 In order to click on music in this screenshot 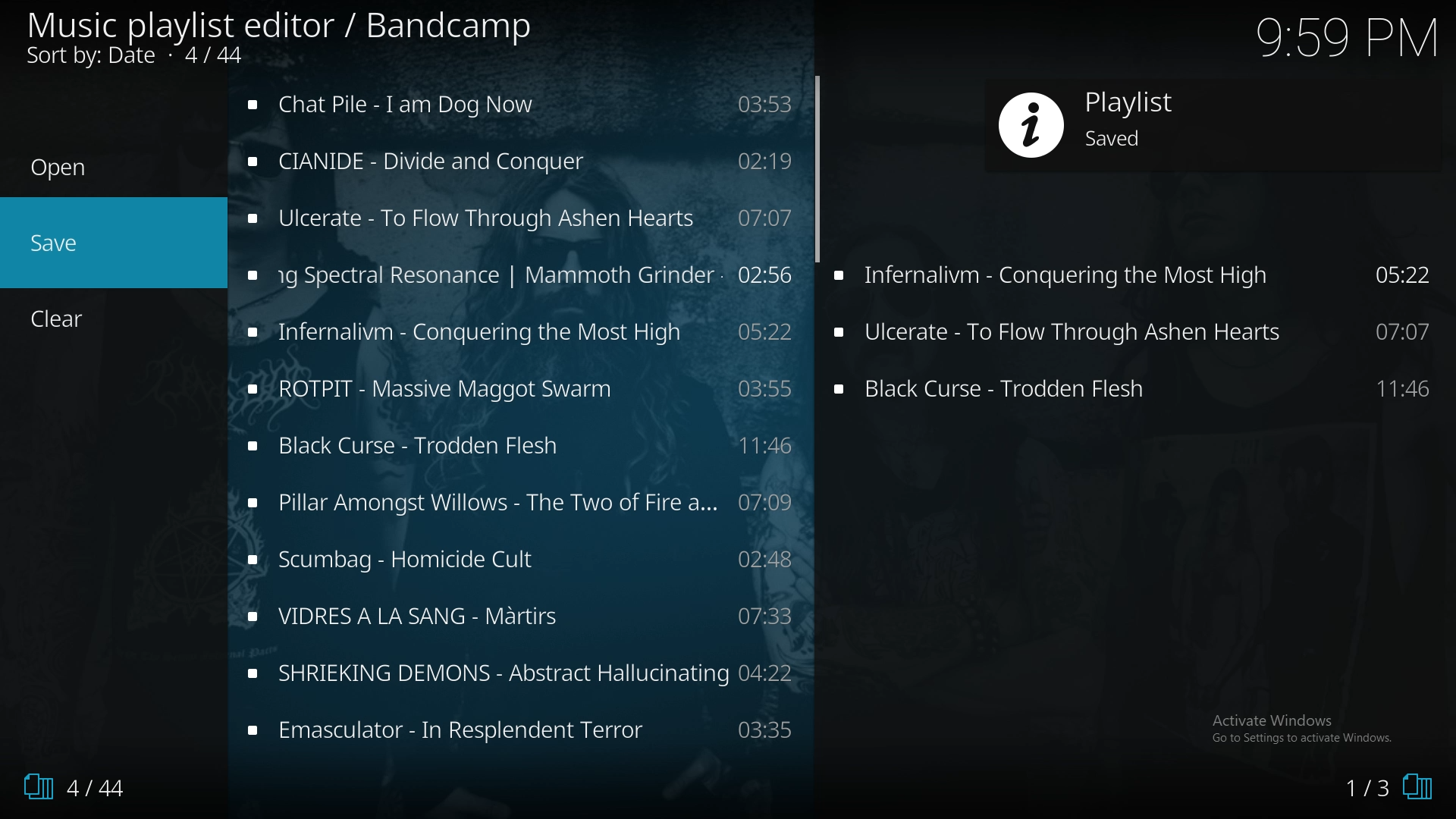, I will do `click(523, 616)`.